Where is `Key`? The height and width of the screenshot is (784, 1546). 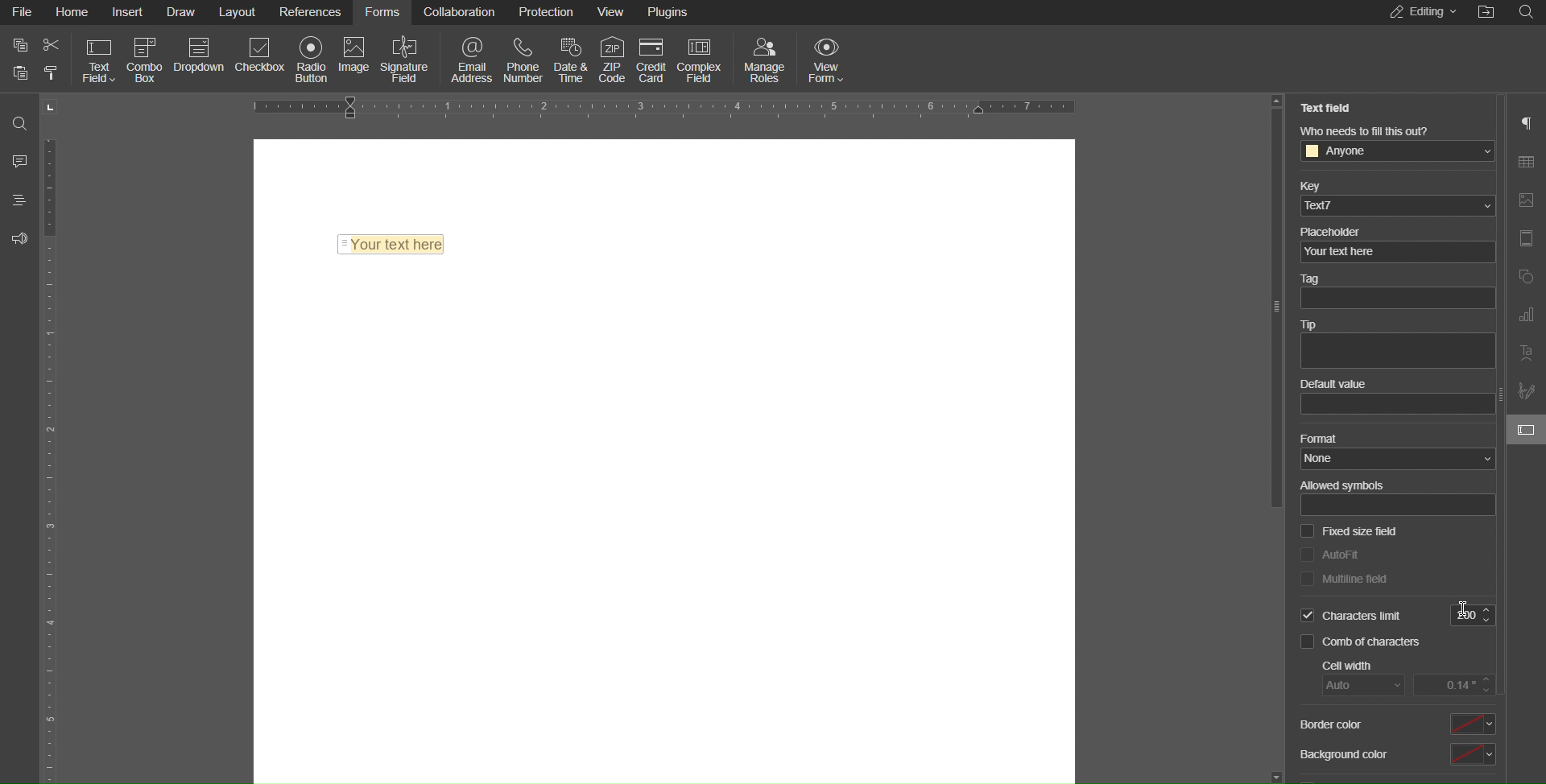
Key is located at coordinates (1395, 196).